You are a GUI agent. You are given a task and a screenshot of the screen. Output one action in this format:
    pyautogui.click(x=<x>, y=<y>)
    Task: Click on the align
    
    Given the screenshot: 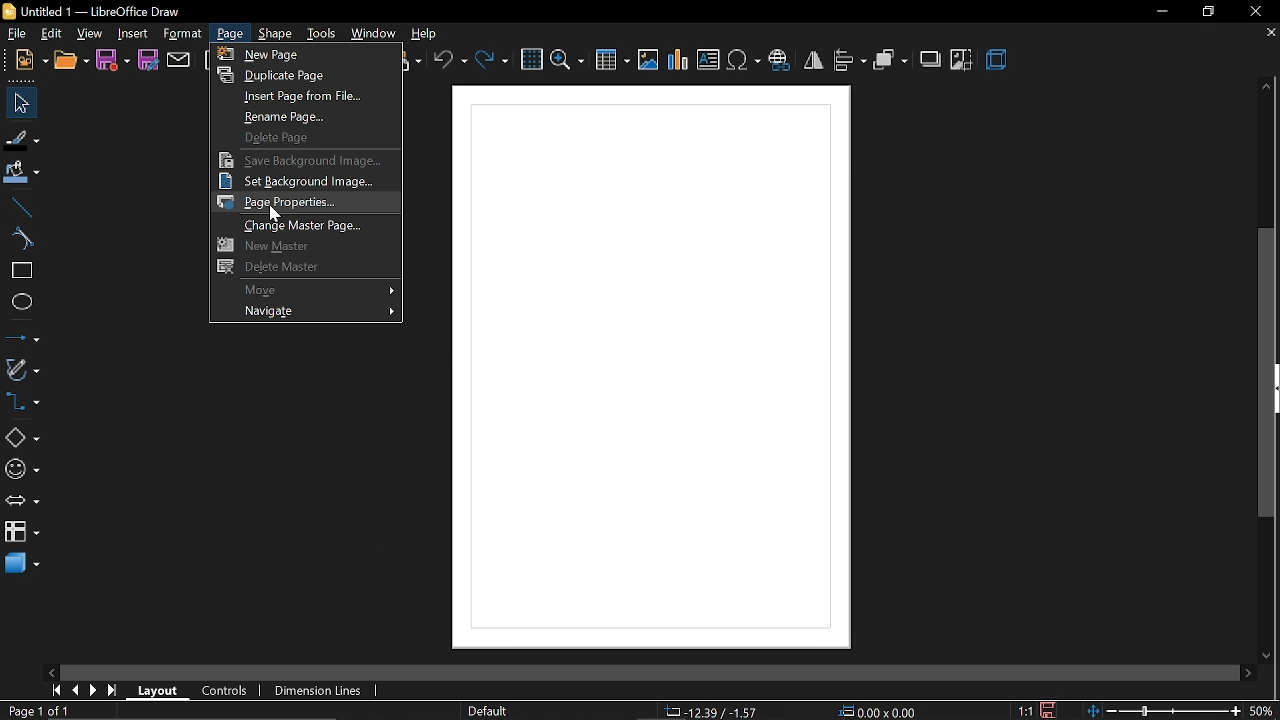 What is the action you would take?
    pyautogui.click(x=850, y=60)
    